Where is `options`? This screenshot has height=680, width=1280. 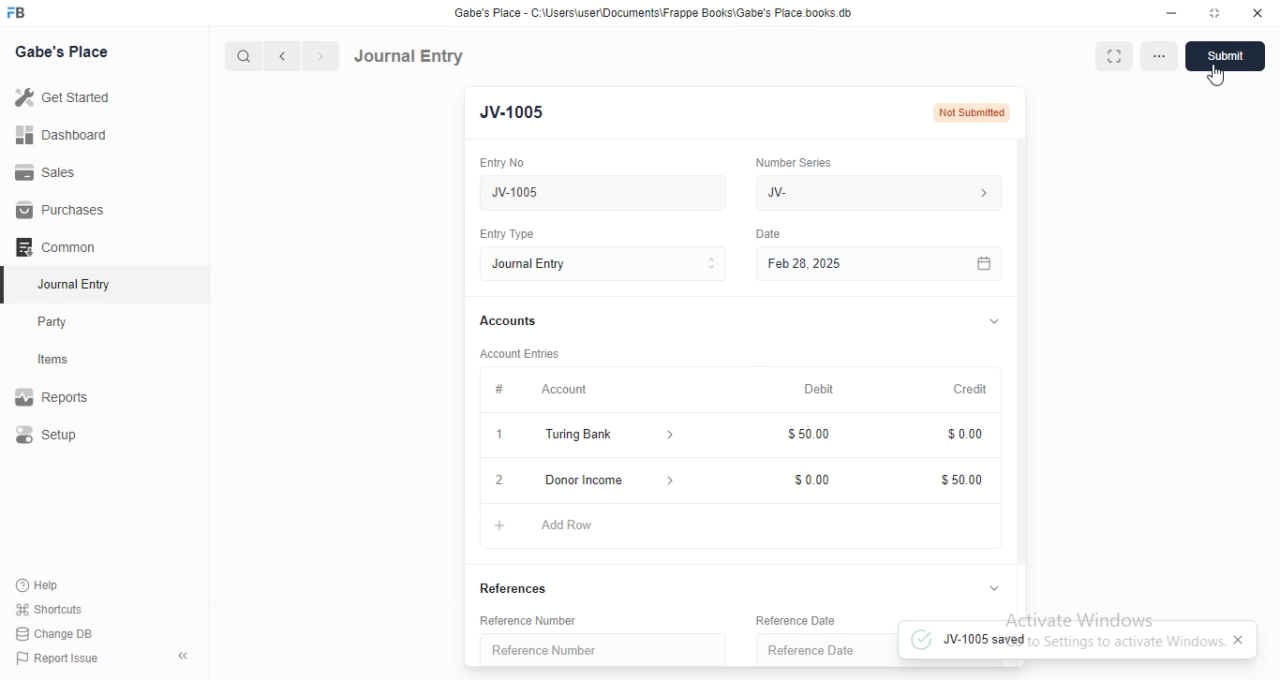
options is located at coordinates (1157, 55).